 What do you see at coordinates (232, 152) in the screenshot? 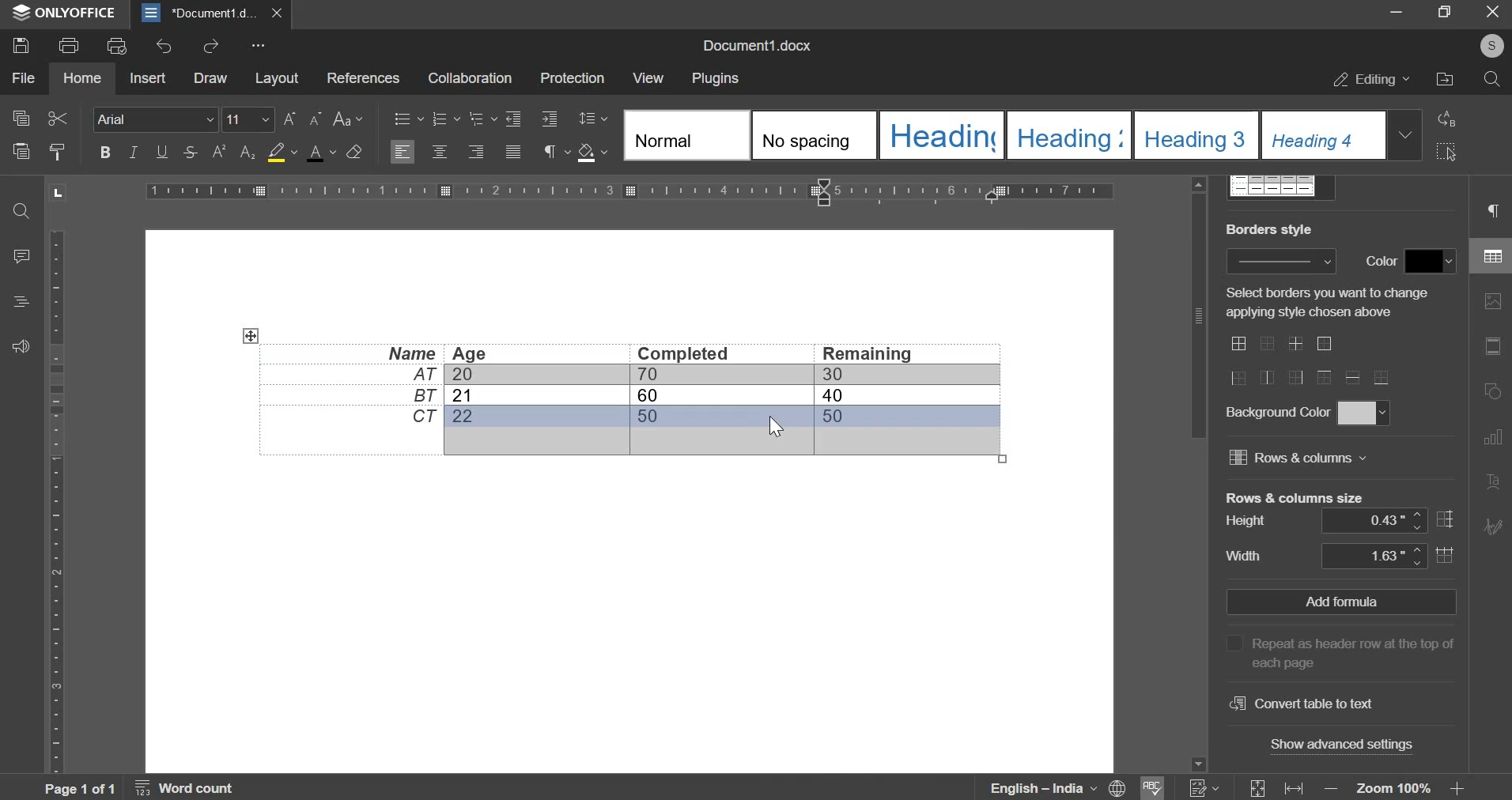
I see `superscript and subscript` at bounding box center [232, 152].